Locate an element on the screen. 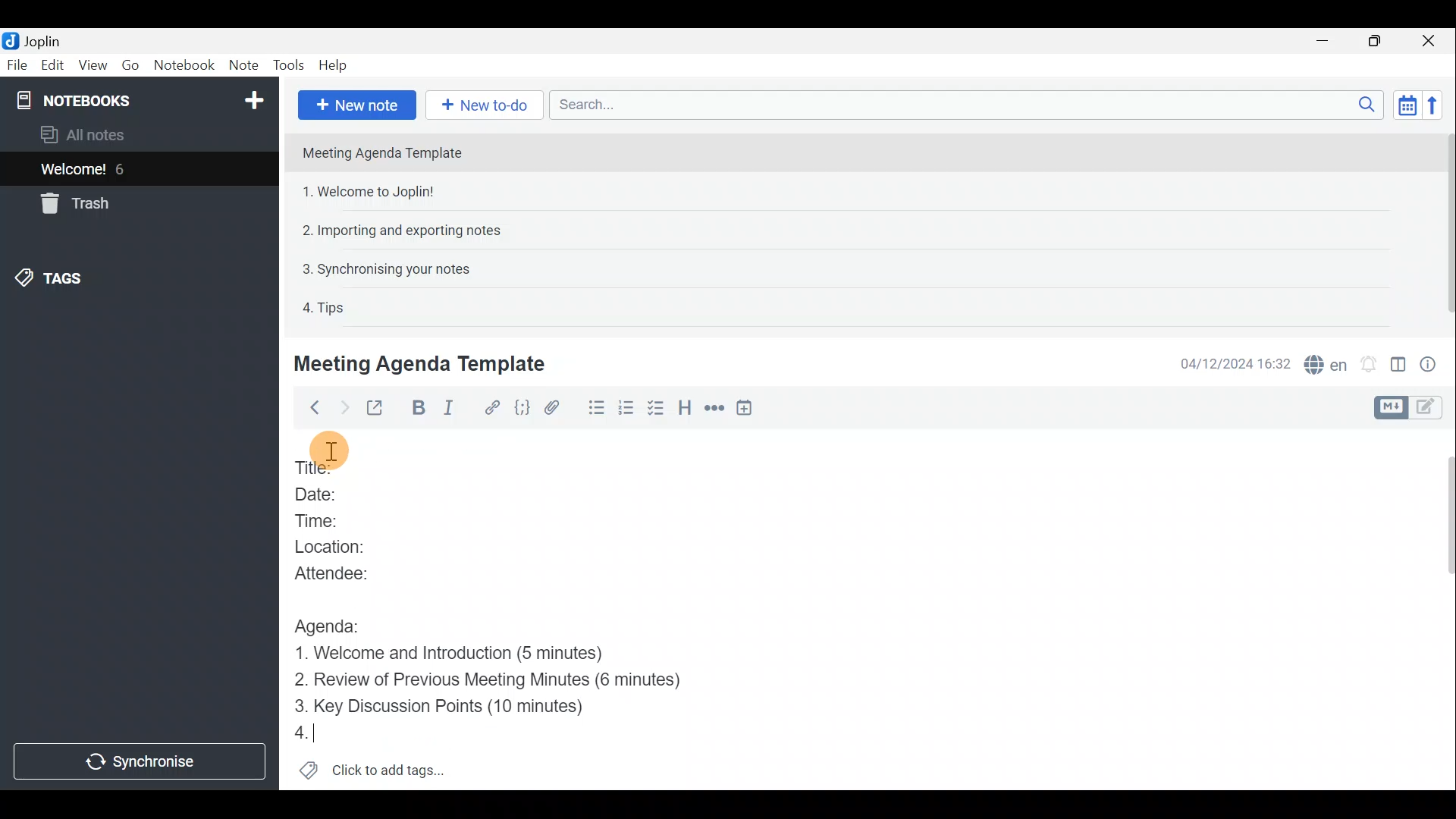  Italic is located at coordinates (457, 408).